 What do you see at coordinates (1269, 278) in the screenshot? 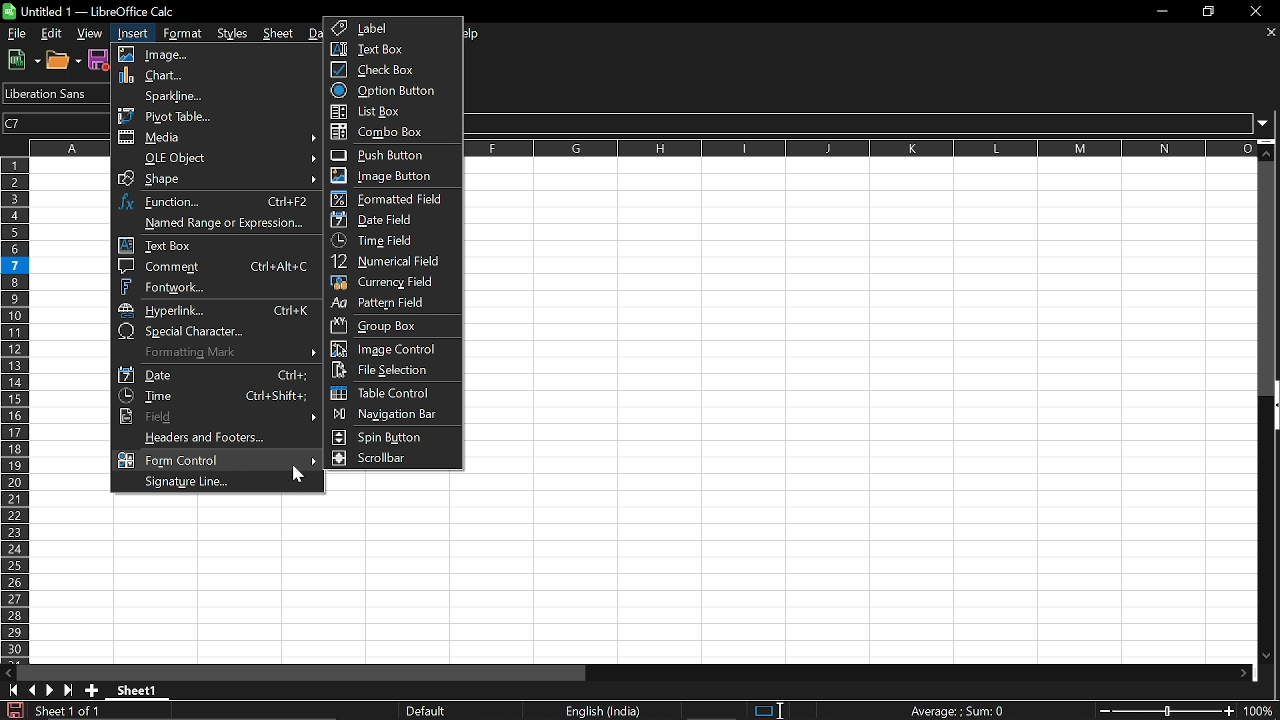
I see `Vertical scrollbar` at bounding box center [1269, 278].